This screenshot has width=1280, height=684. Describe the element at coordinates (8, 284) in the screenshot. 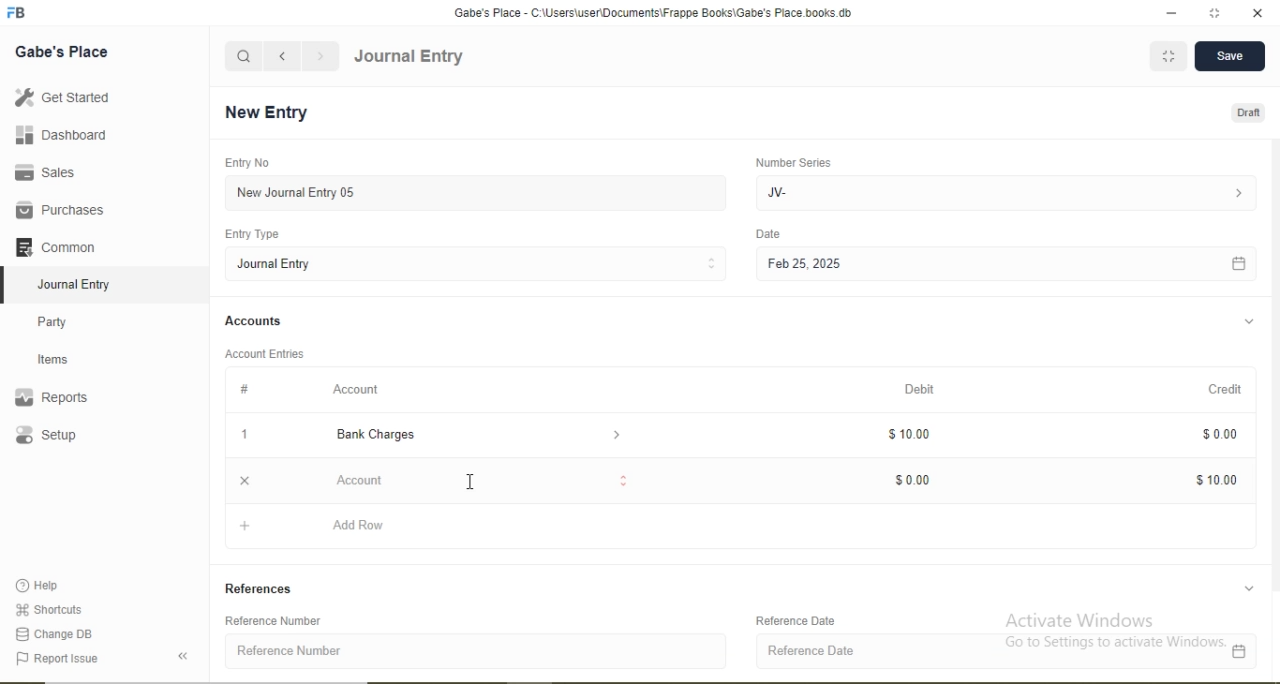

I see `selected` at that location.